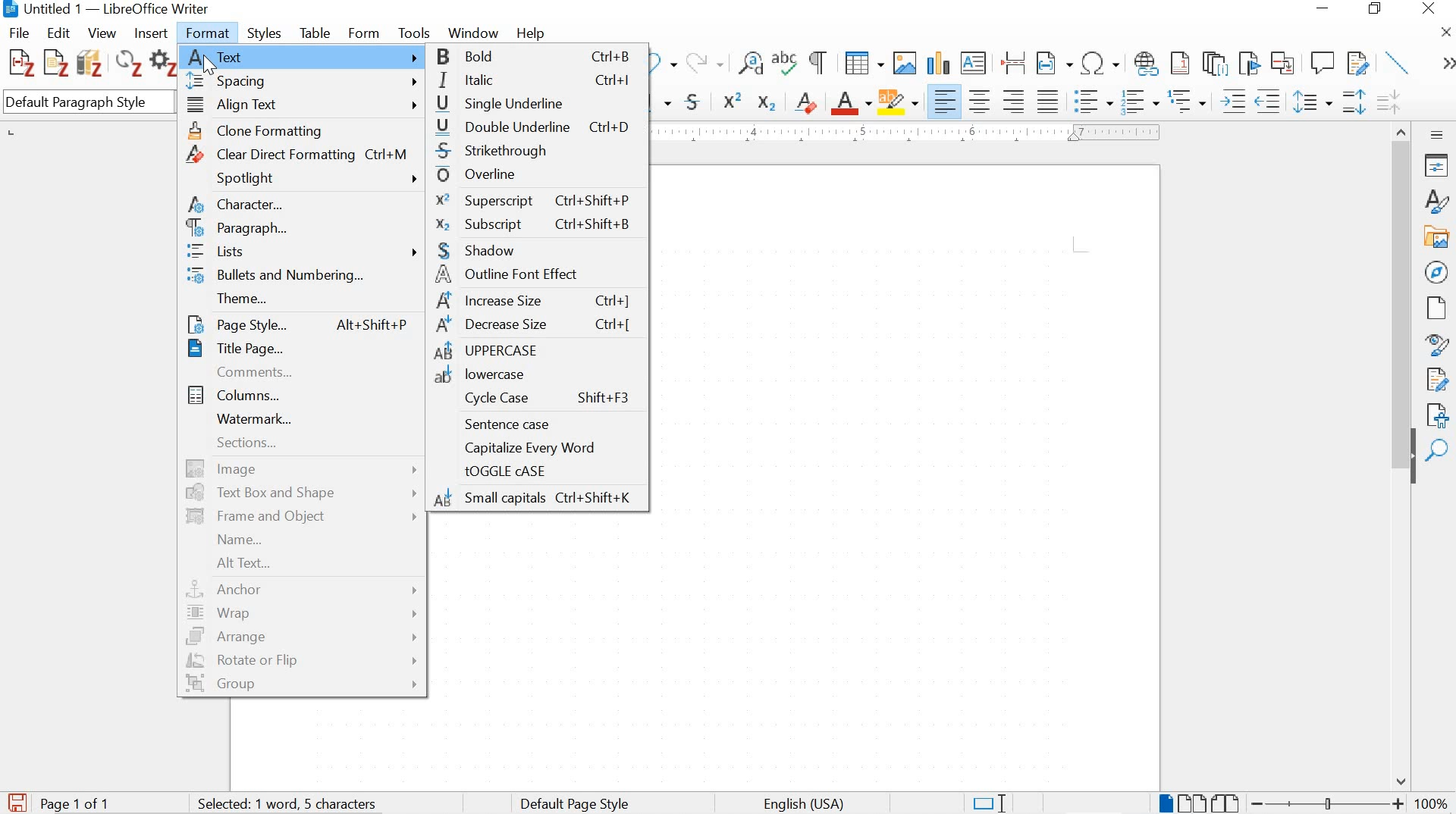  Describe the element at coordinates (1232, 101) in the screenshot. I see `Increase indent` at that location.